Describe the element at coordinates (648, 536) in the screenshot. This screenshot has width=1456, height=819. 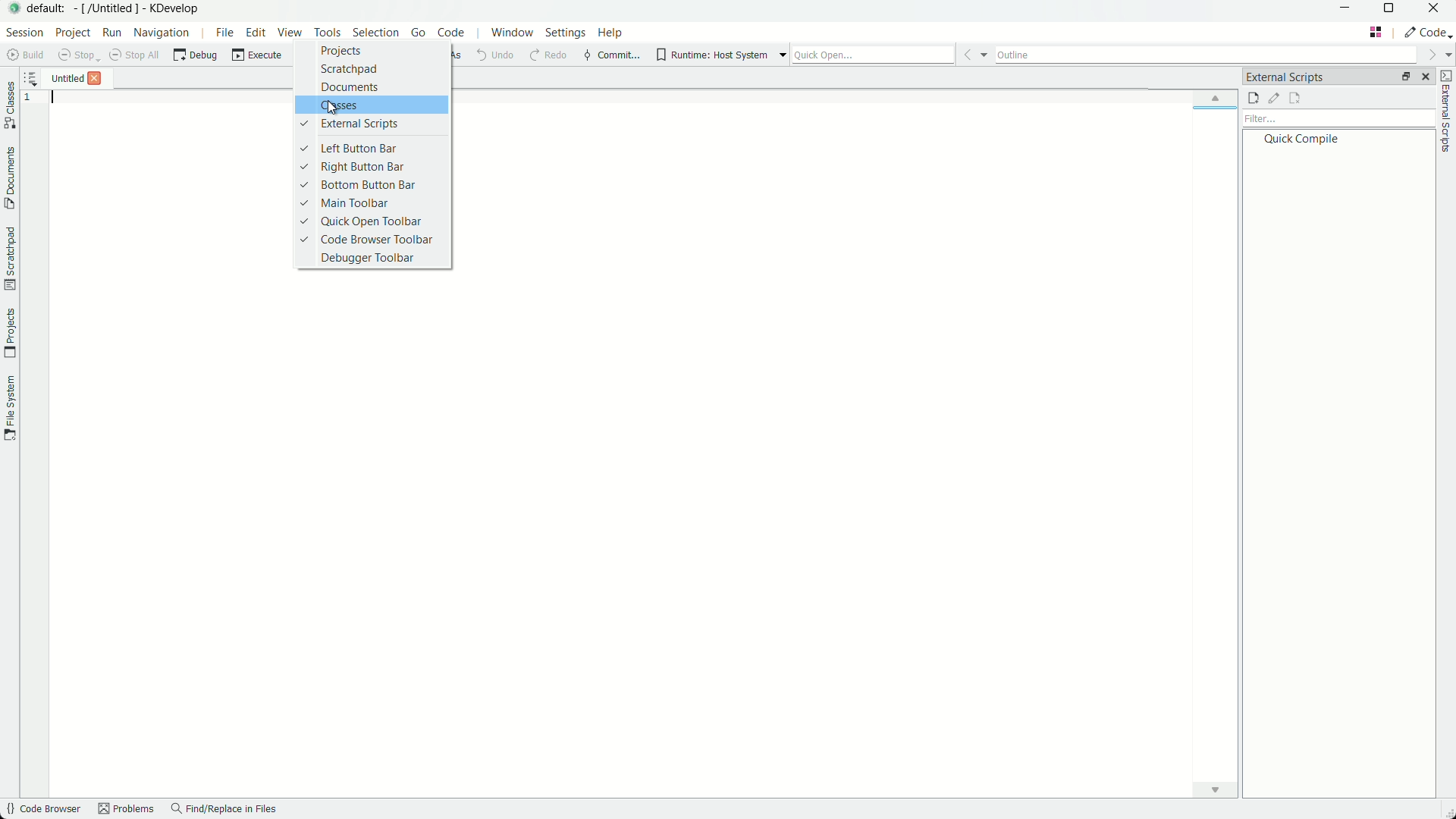
I see `workspace` at that location.